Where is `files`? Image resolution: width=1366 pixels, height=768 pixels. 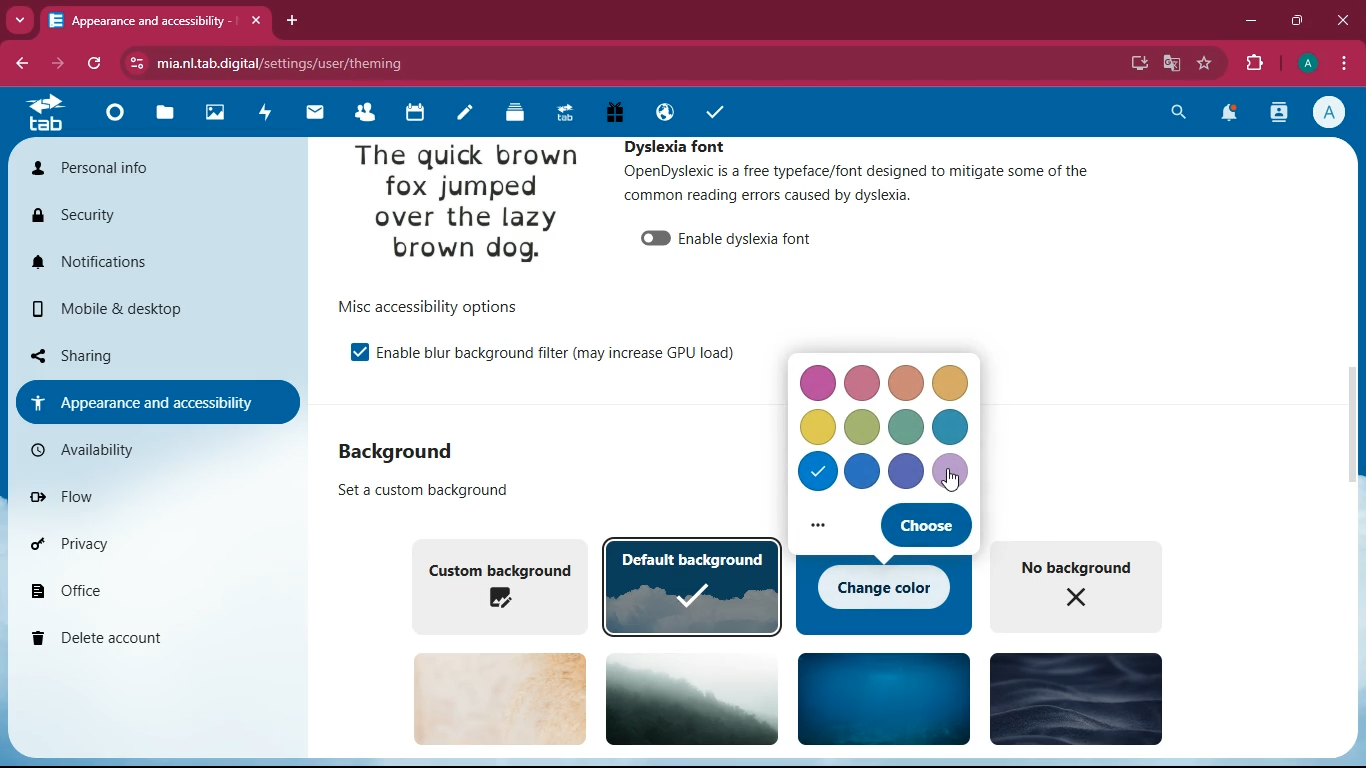 files is located at coordinates (165, 115).